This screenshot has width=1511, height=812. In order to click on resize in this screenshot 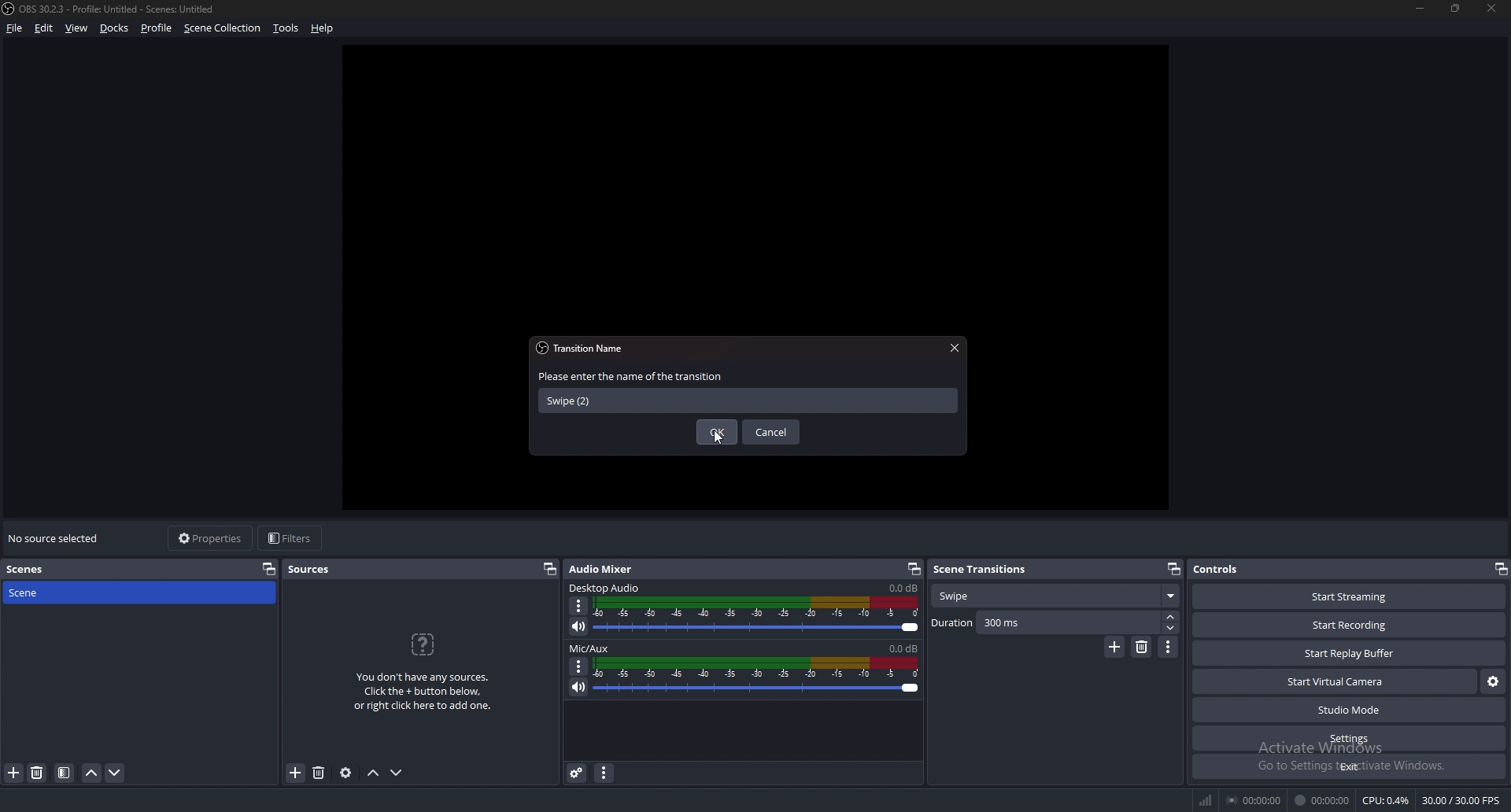, I will do `click(1456, 9)`.